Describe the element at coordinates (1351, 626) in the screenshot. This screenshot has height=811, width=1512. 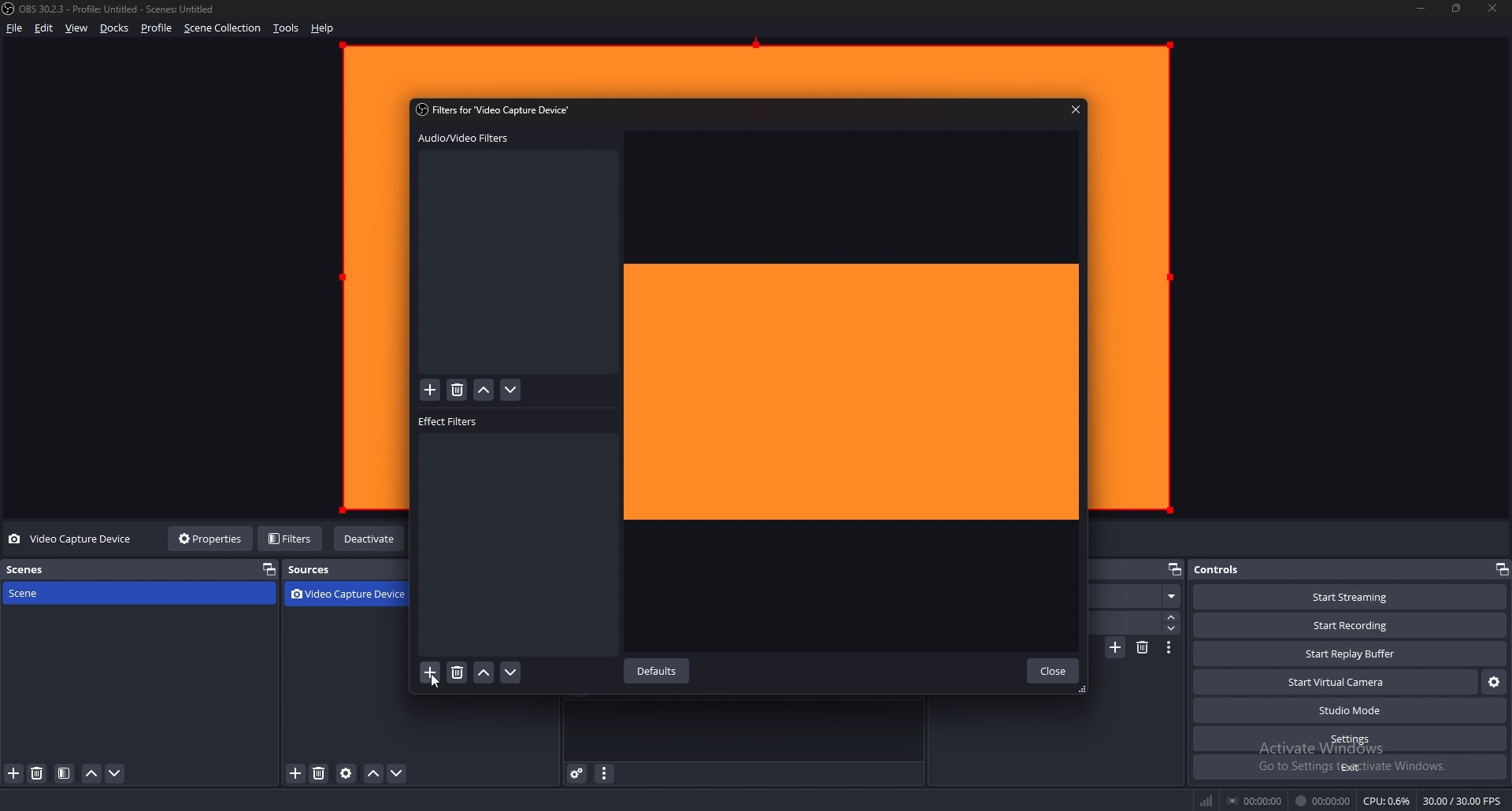
I see `start recording` at that location.